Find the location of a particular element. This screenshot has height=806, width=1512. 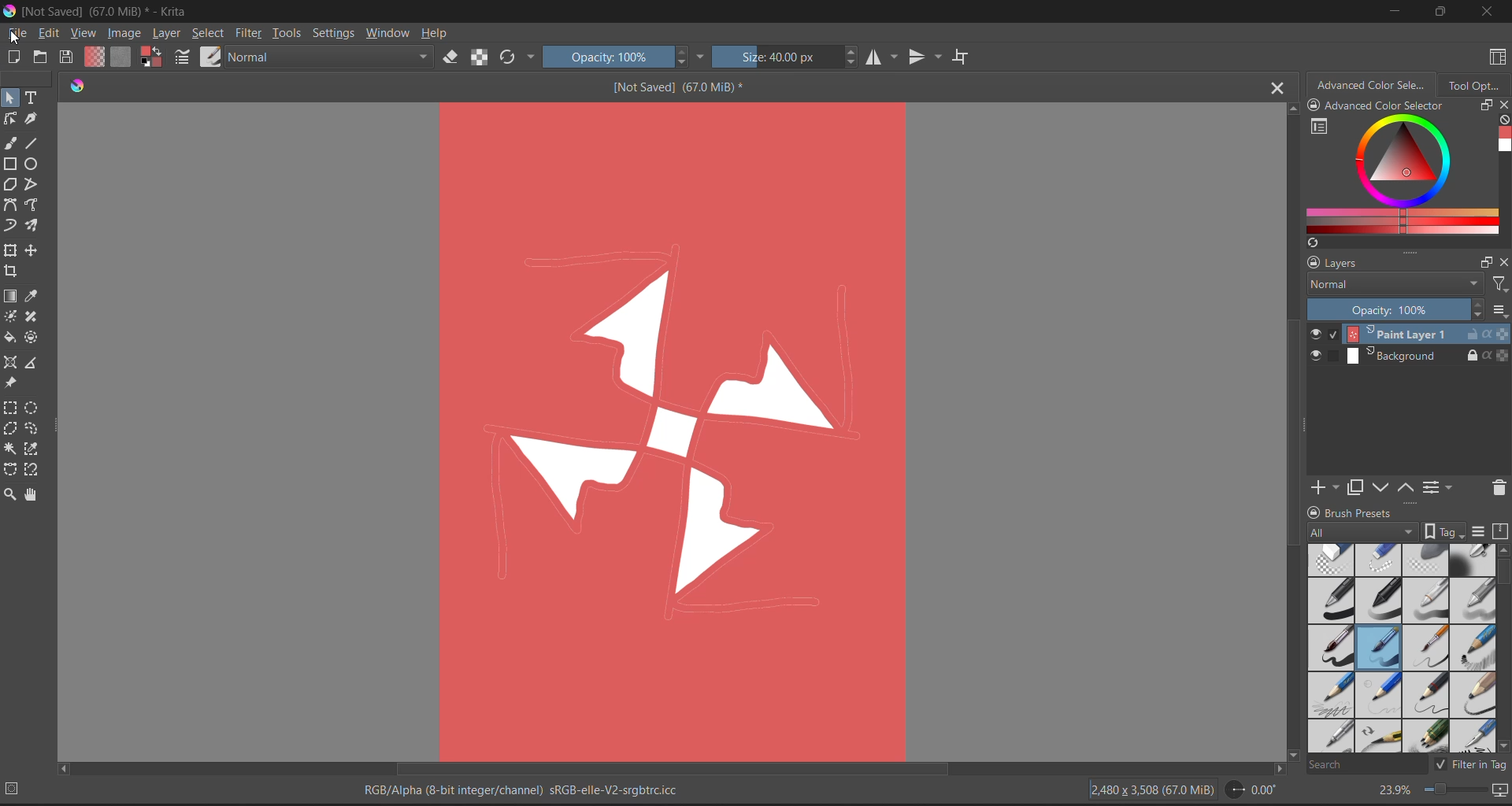

save is located at coordinates (69, 55).